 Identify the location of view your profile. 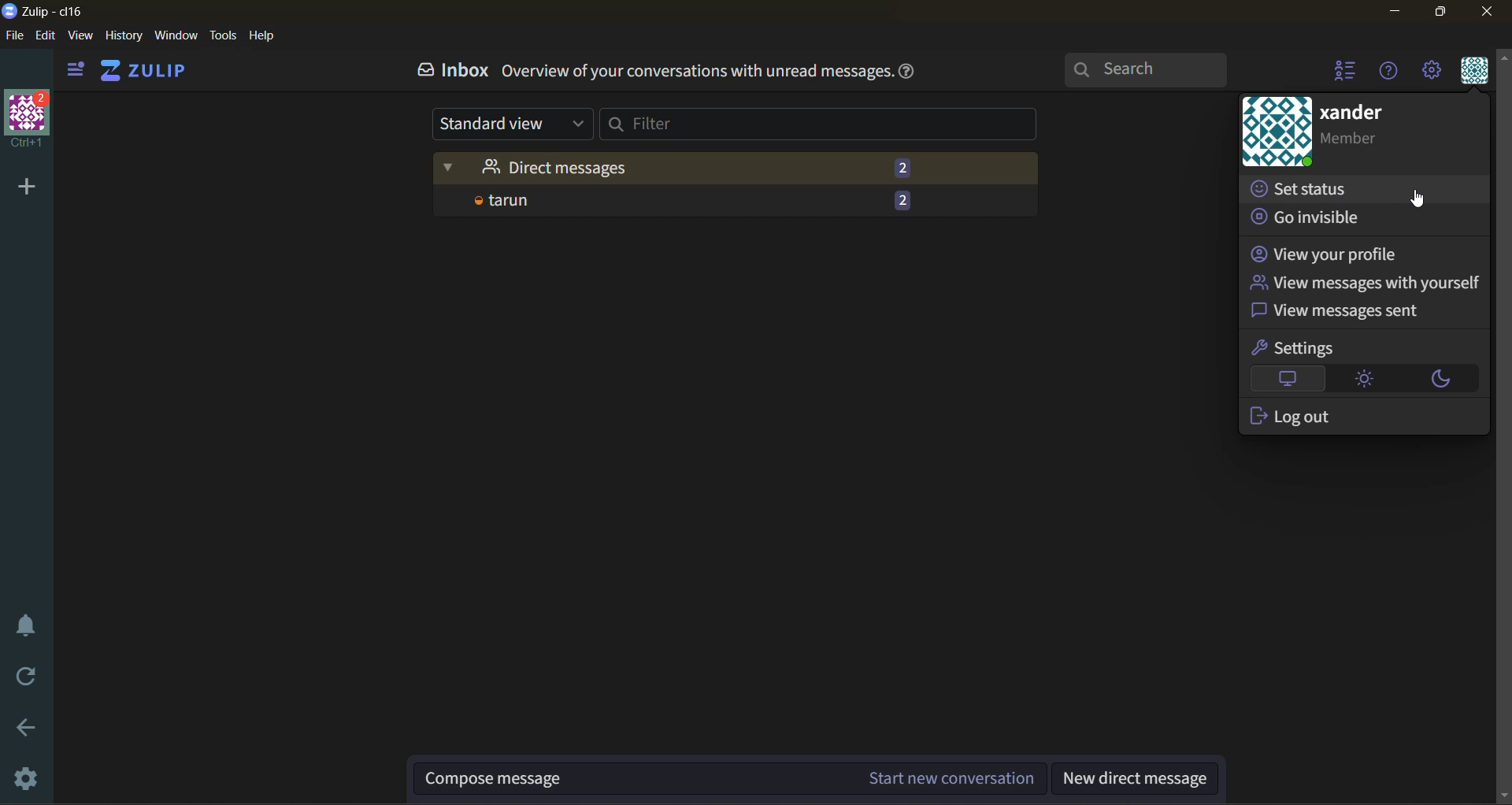
(1326, 254).